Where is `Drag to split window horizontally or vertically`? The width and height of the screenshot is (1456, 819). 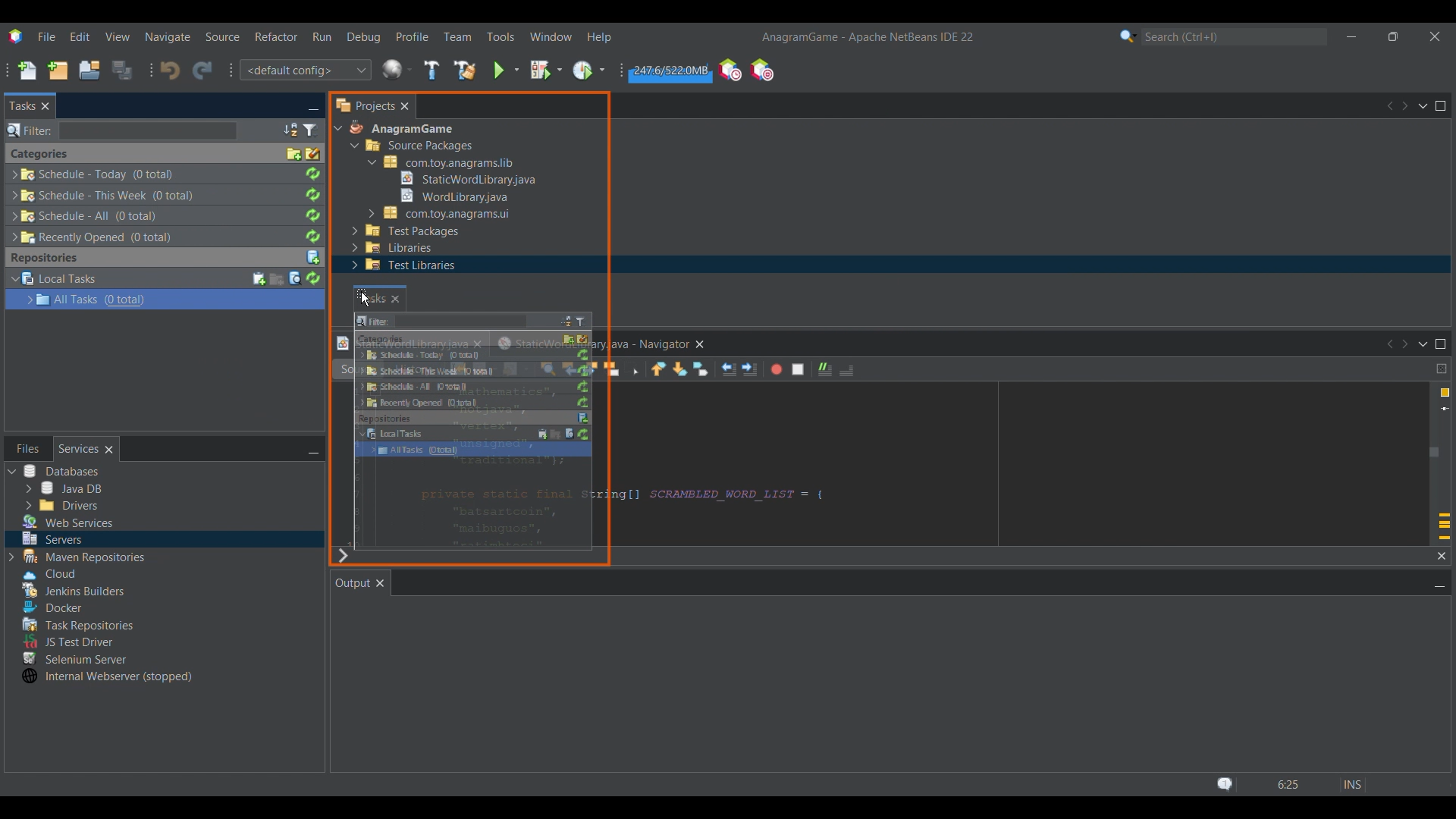 Drag to split window horizontally or vertically is located at coordinates (1442, 369).